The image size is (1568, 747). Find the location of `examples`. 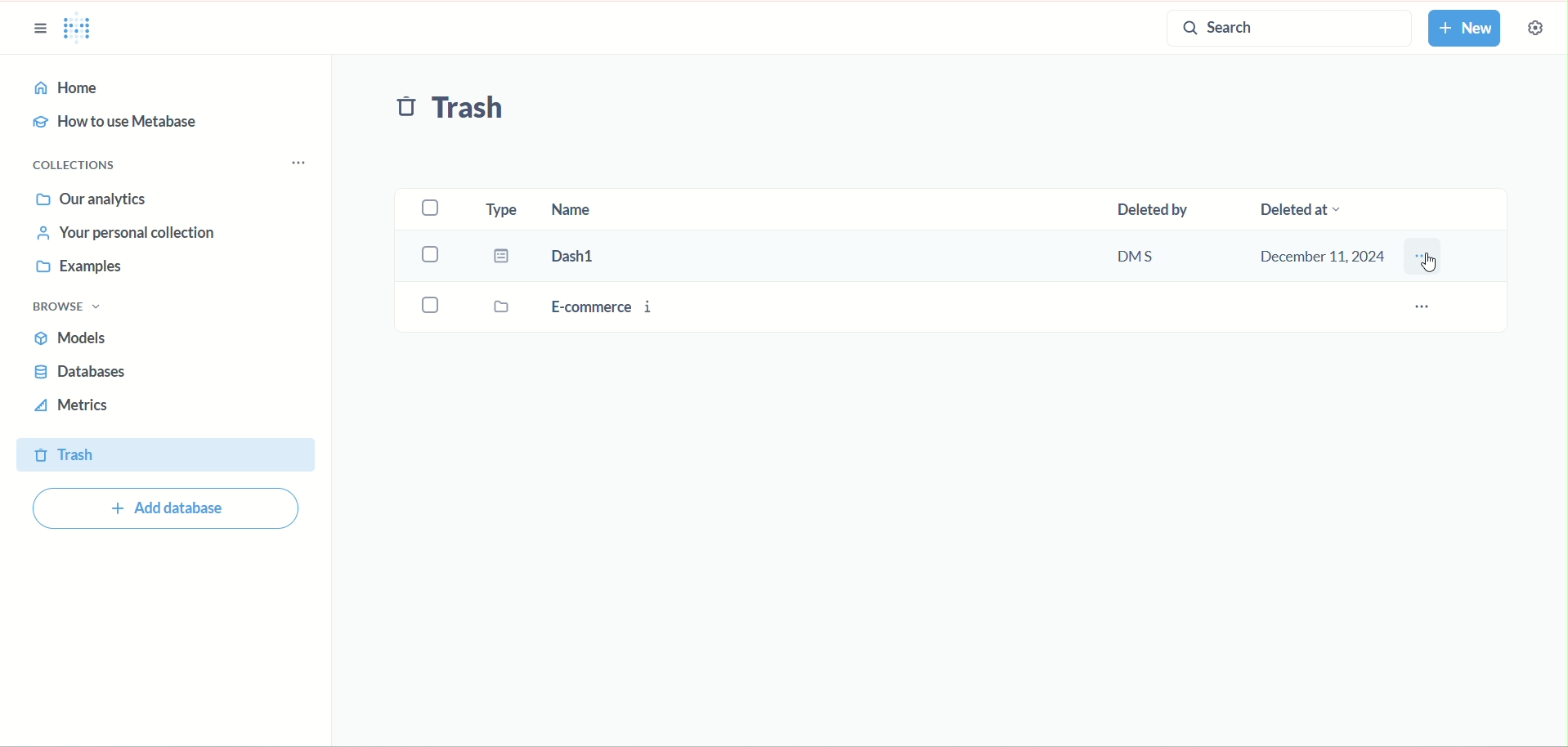

examples is located at coordinates (80, 268).